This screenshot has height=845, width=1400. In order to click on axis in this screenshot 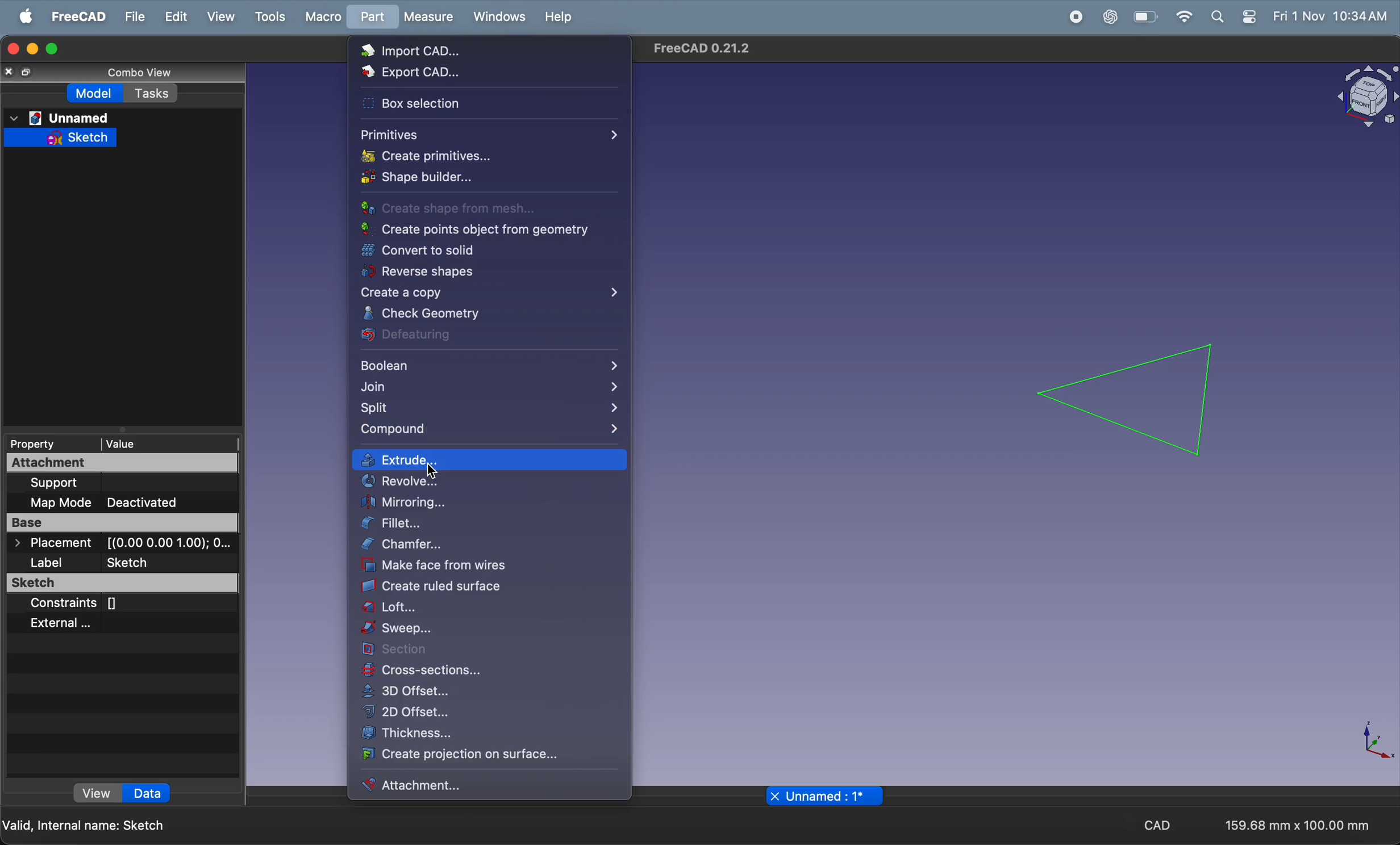, I will do `click(1380, 743)`.